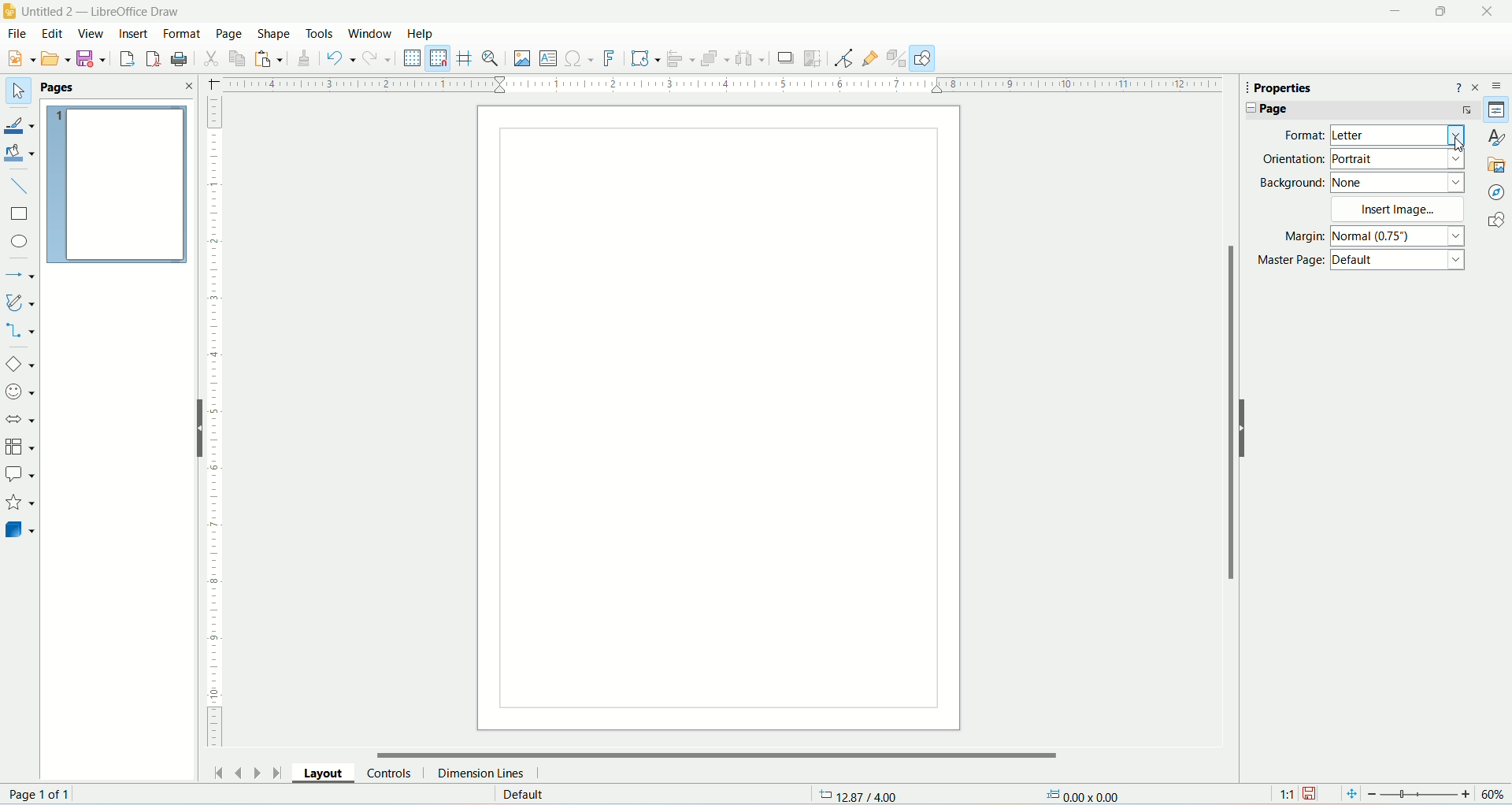 This screenshot has height=805, width=1512. What do you see at coordinates (1313, 794) in the screenshot?
I see `save` at bounding box center [1313, 794].